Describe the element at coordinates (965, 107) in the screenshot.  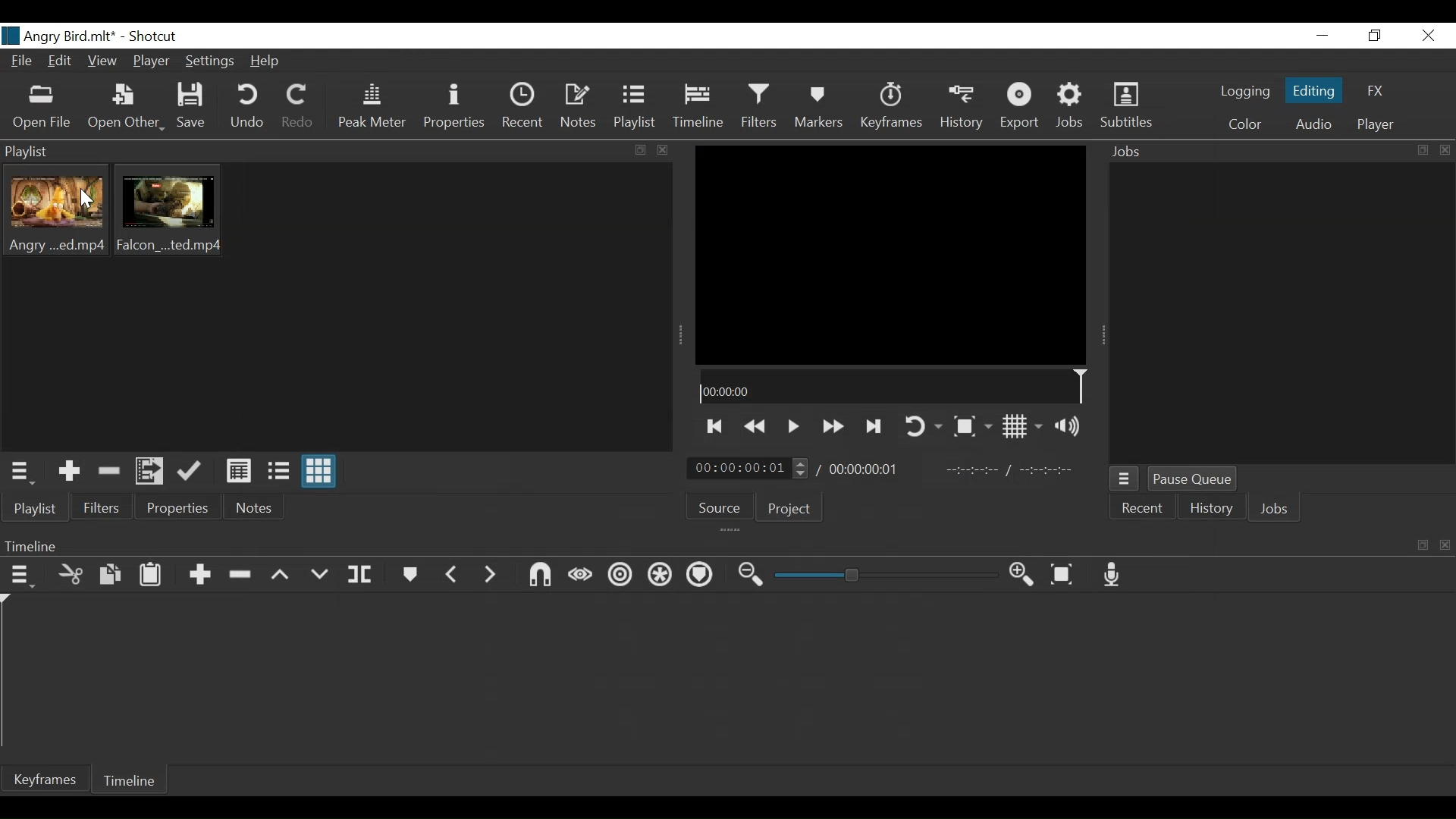
I see `History` at that location.